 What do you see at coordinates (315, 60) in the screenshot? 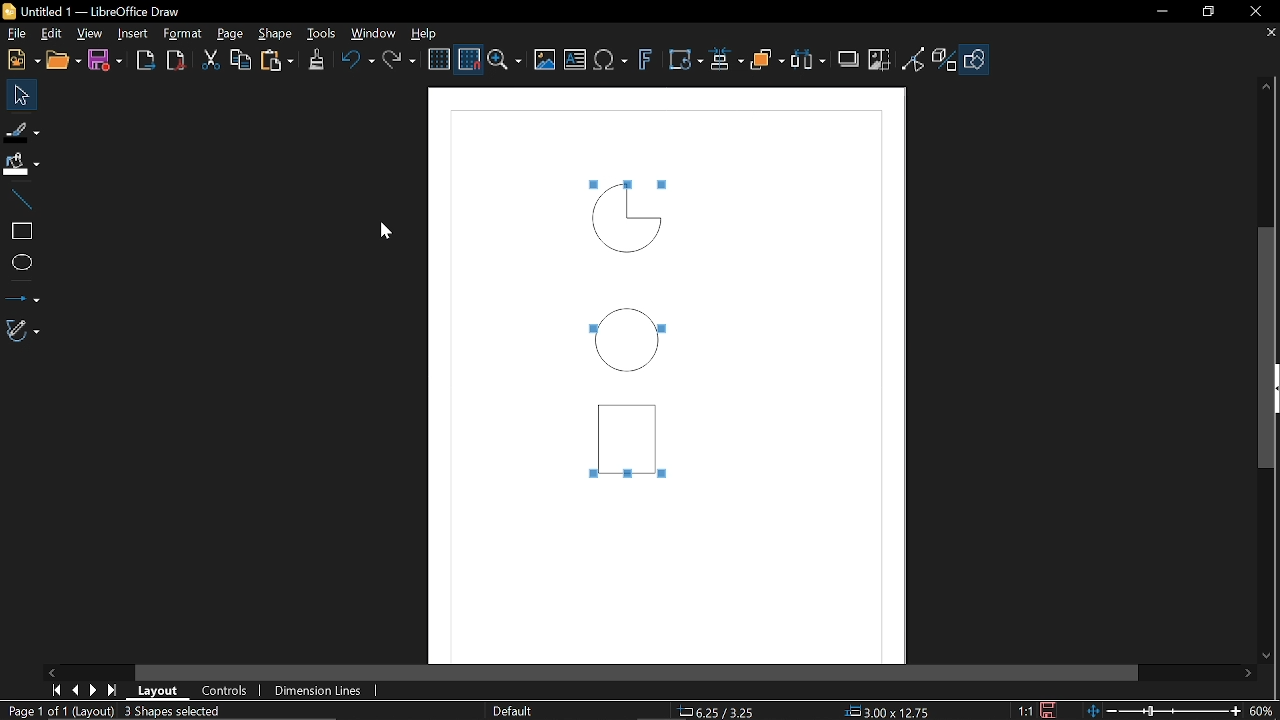
I see `Clone` at bounding box center [315, 60].